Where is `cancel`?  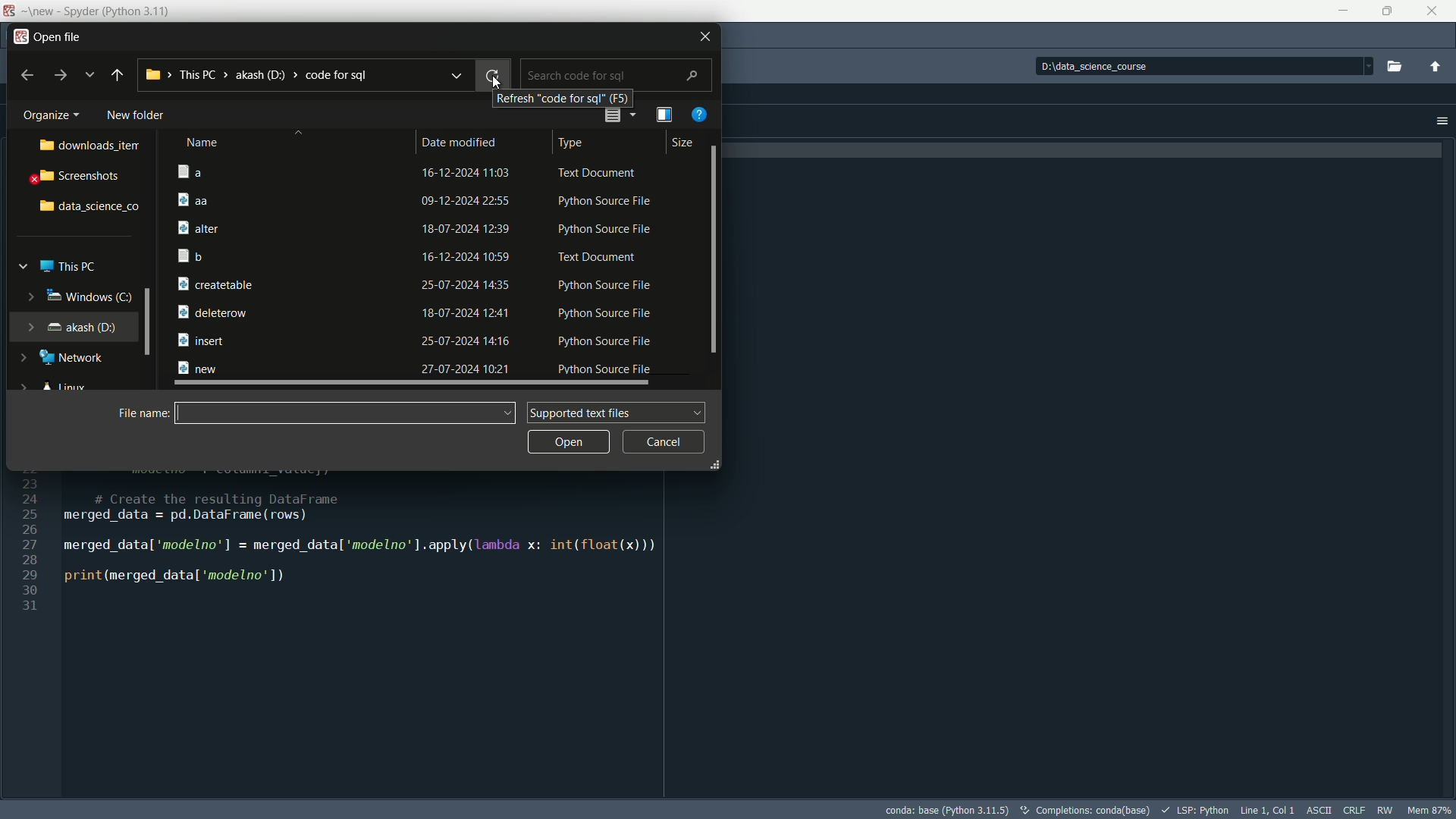
cancel is located at coordinates (666, 441).